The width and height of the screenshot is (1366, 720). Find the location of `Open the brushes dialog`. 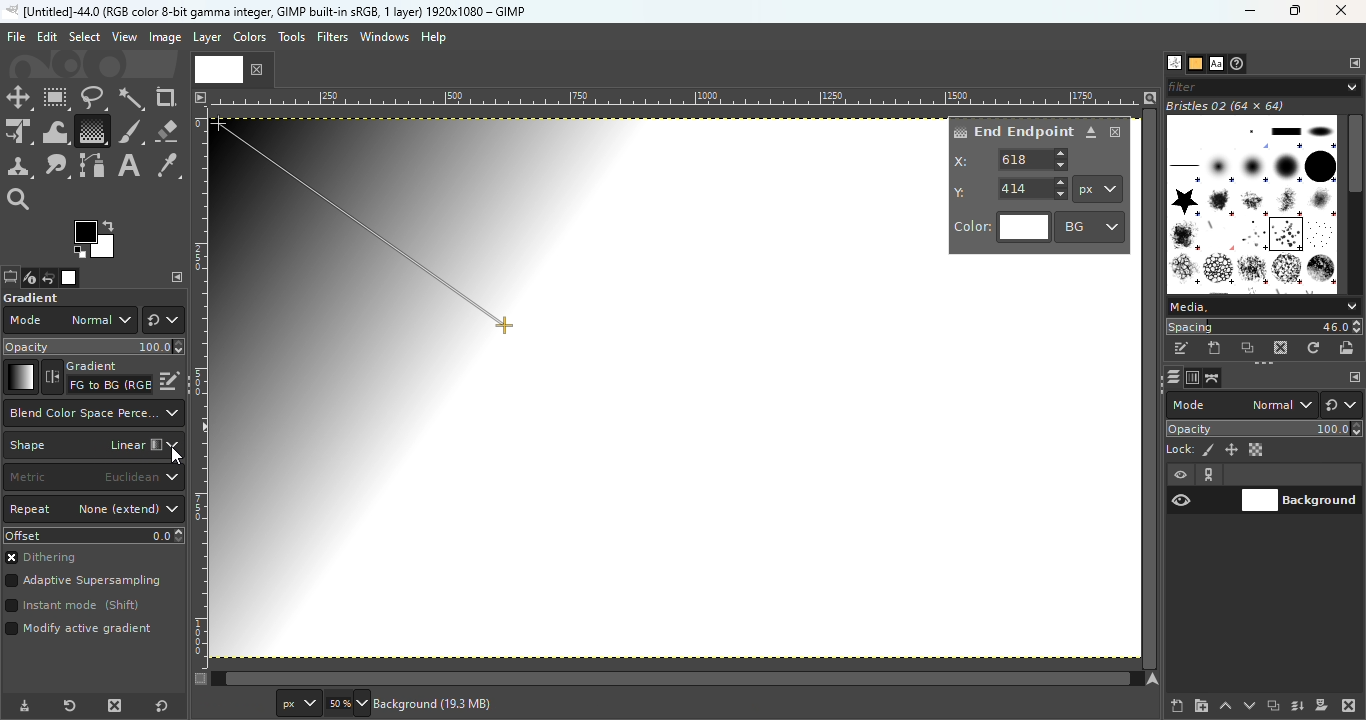

Open the brushes dialog is located at coordinates (1174, 62).